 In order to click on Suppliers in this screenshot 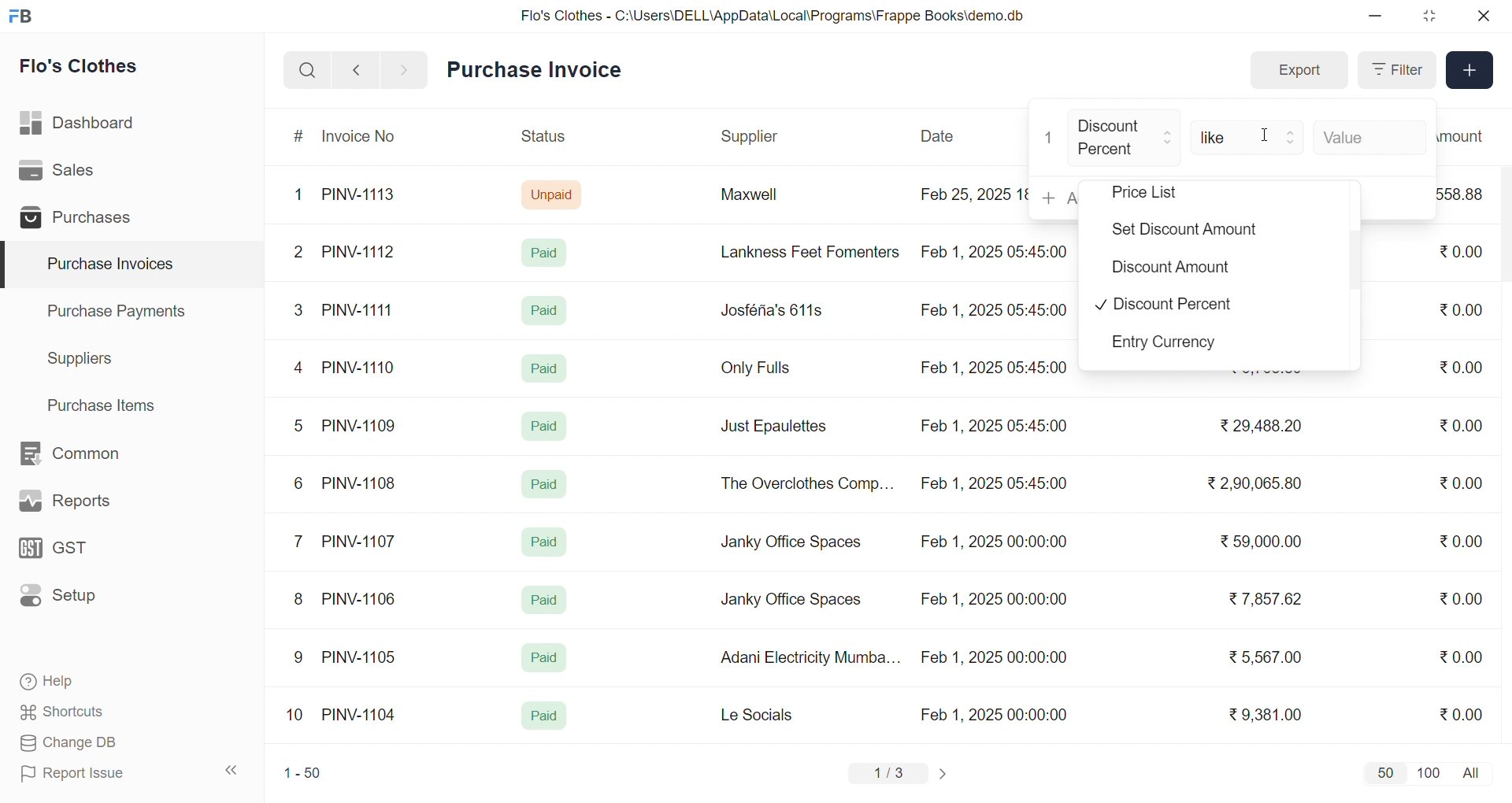, I will do `click(83, 358)`.